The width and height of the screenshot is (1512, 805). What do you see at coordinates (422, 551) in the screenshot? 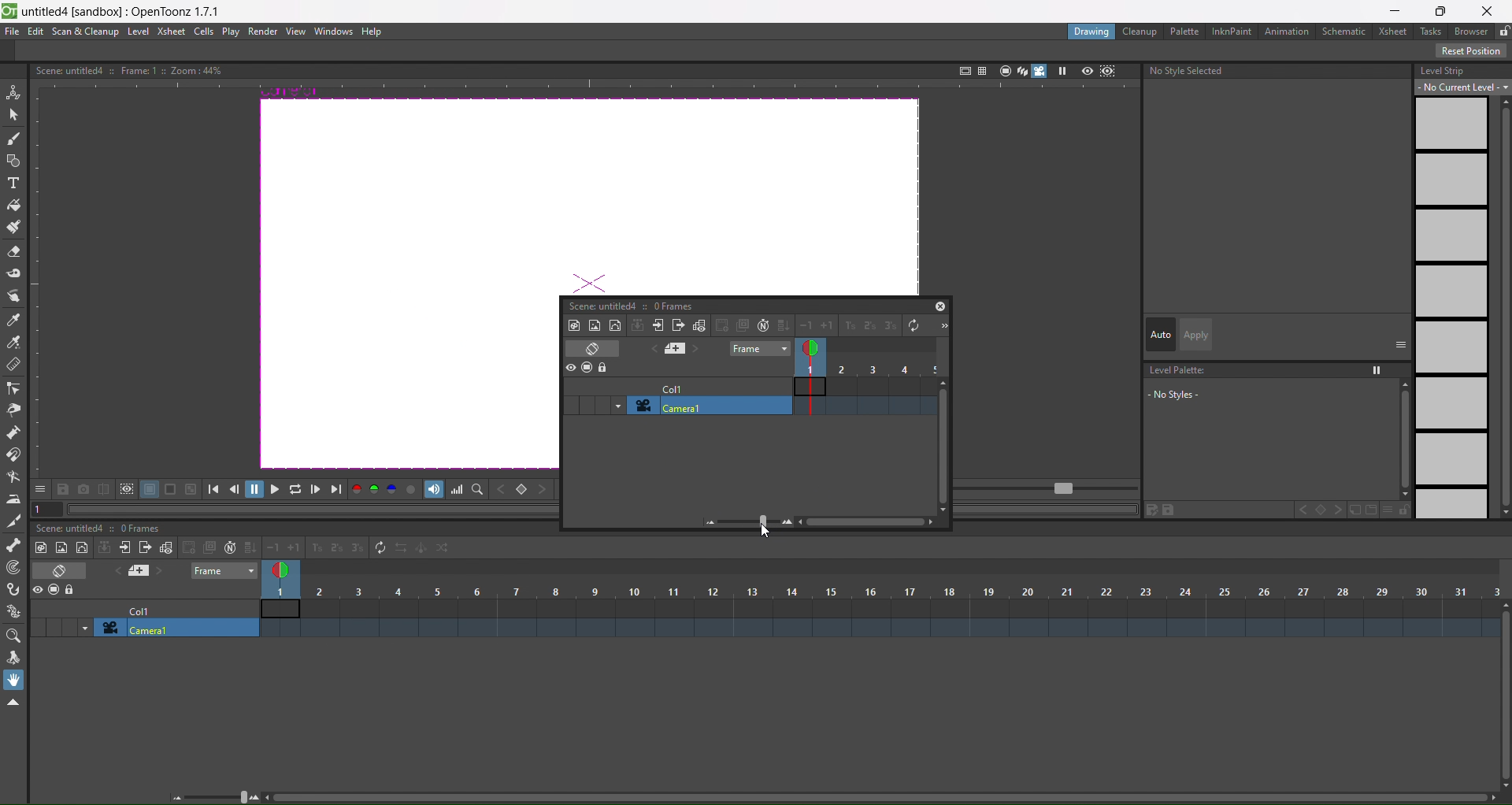
I see `swing` at bounding box center [422, 551].